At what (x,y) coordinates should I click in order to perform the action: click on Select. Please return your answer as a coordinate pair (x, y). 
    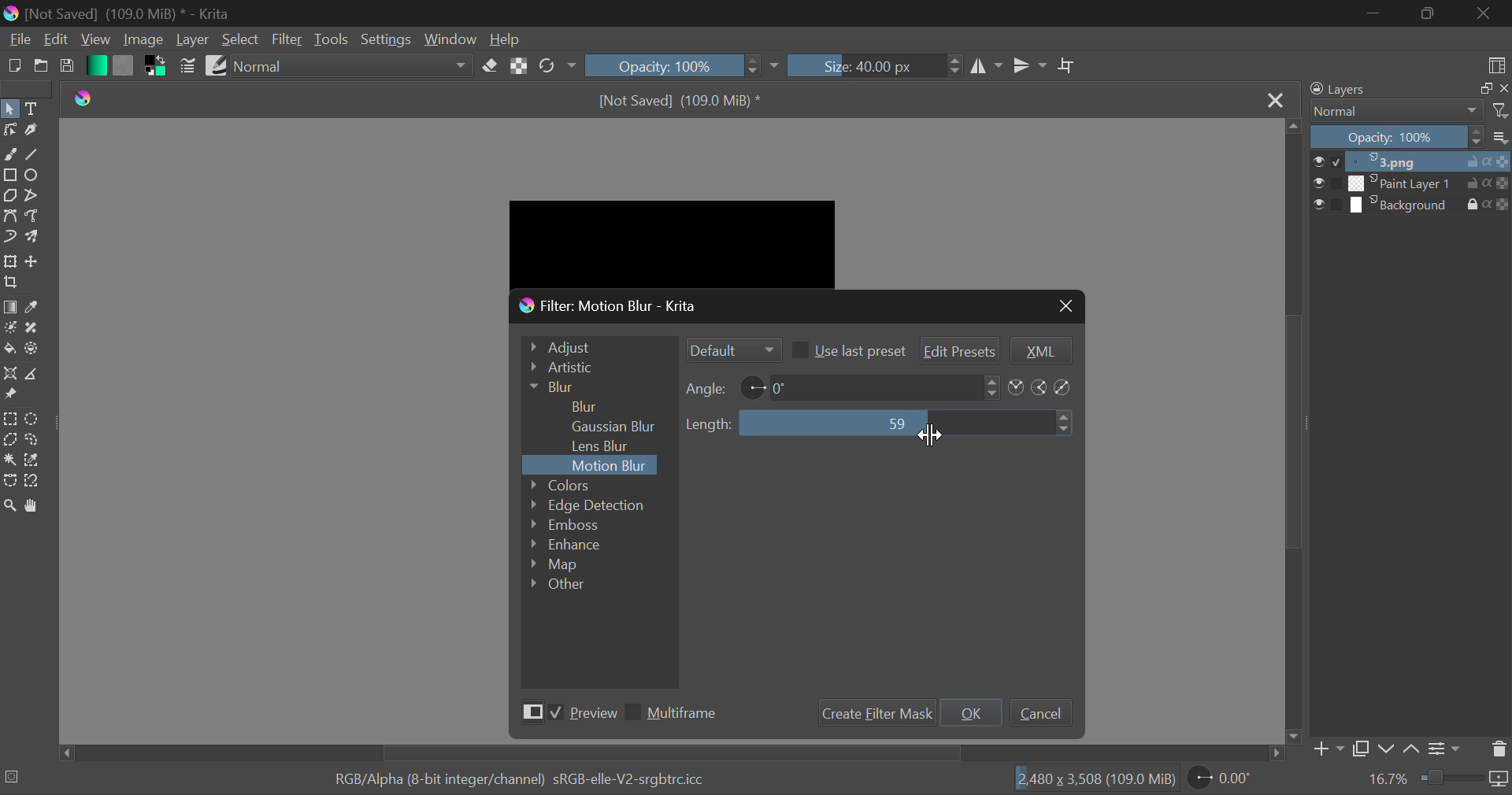
    Looking at the image, I should click on (241, 39).